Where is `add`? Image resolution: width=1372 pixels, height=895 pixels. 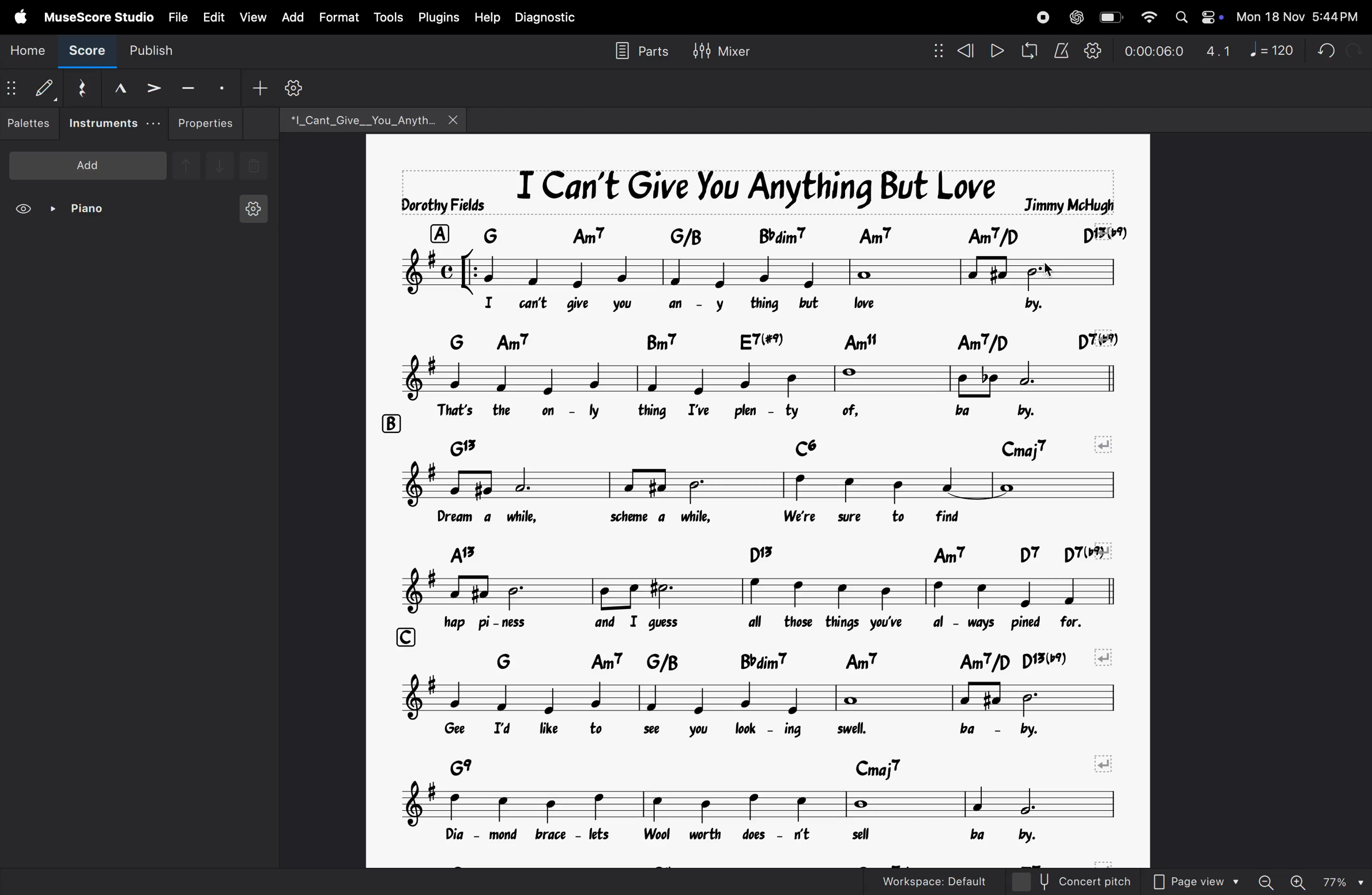 add is located at coordinates (258, 87).